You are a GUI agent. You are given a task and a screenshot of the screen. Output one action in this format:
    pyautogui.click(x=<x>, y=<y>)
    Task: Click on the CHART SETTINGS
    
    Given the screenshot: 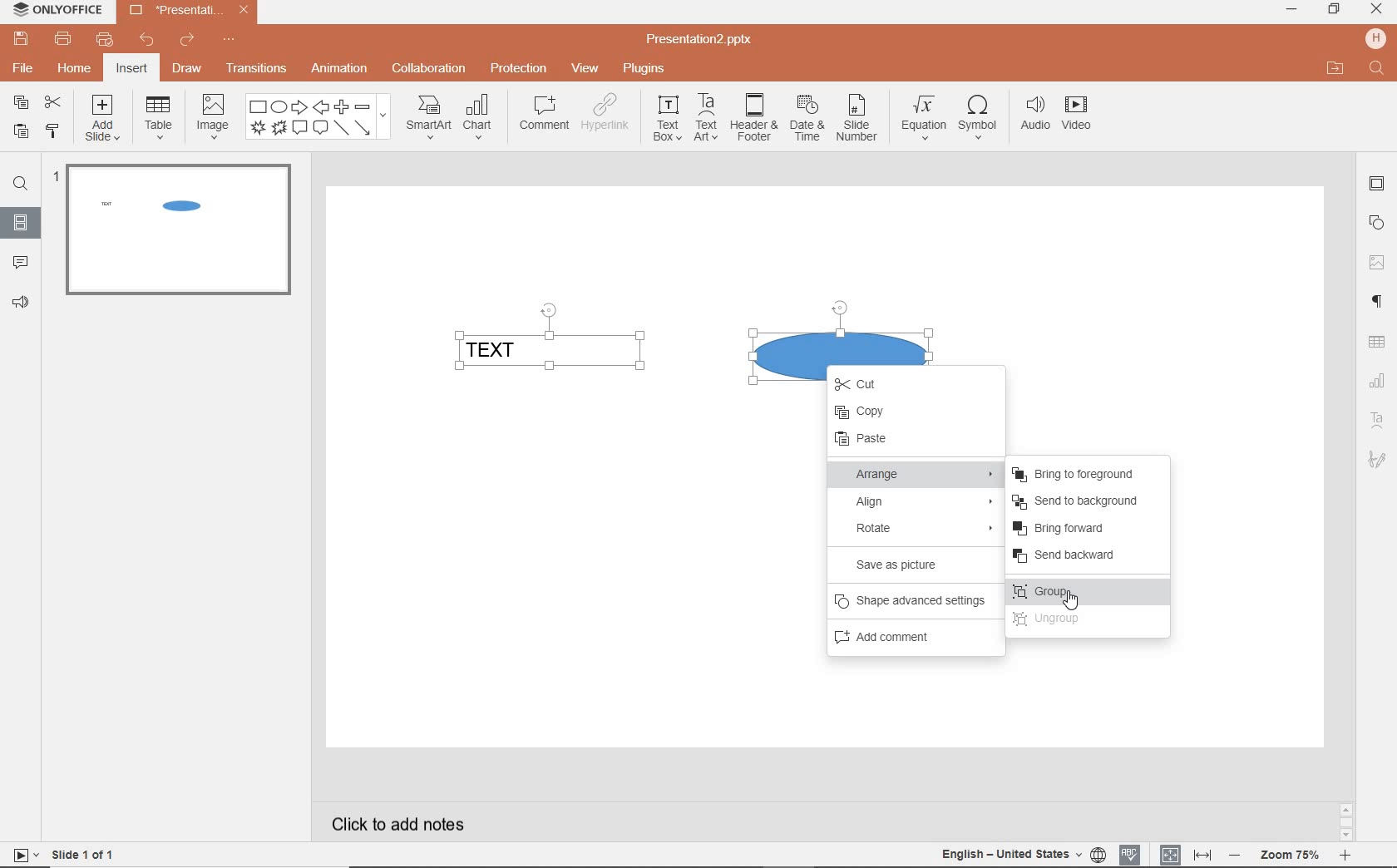 What is the action you would take?
    pyautogui.click(x=1378, y=382)
    